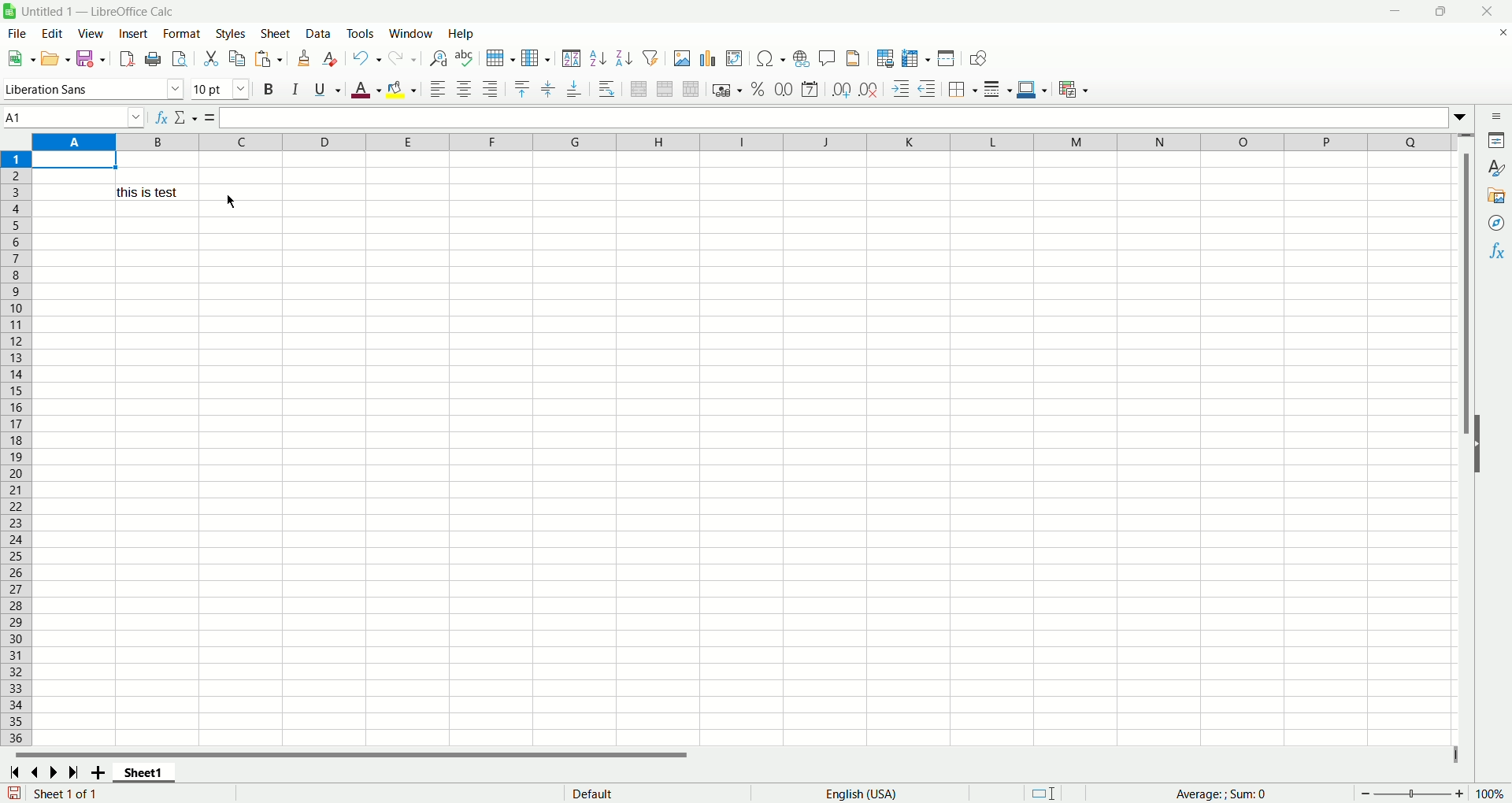  I want to click on clone formatting, so click(306, 57).